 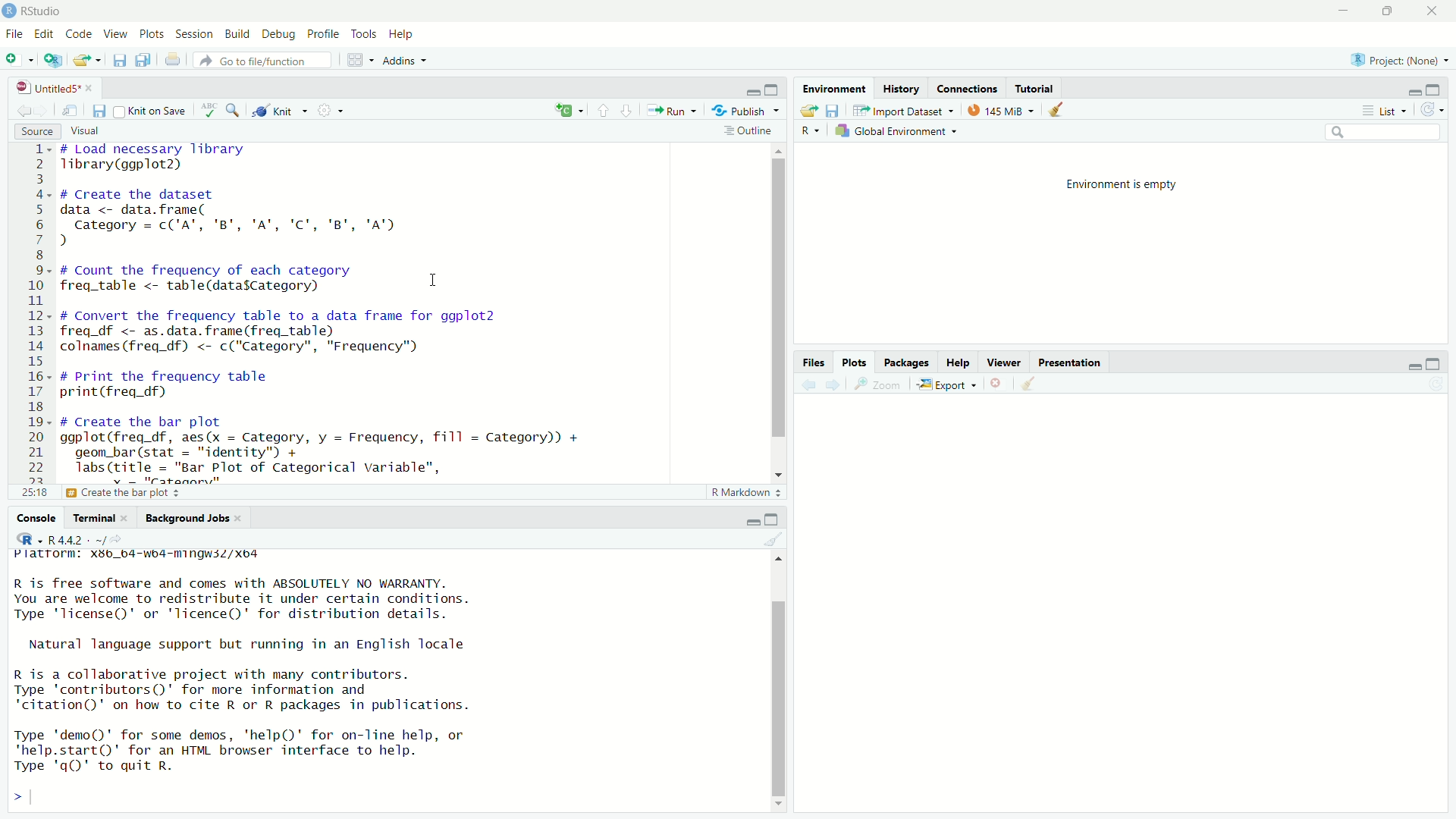 What do you see at coordinates (811, 131) in the screenshot?
I see `R dropdown` at bounding box center [811, 131].